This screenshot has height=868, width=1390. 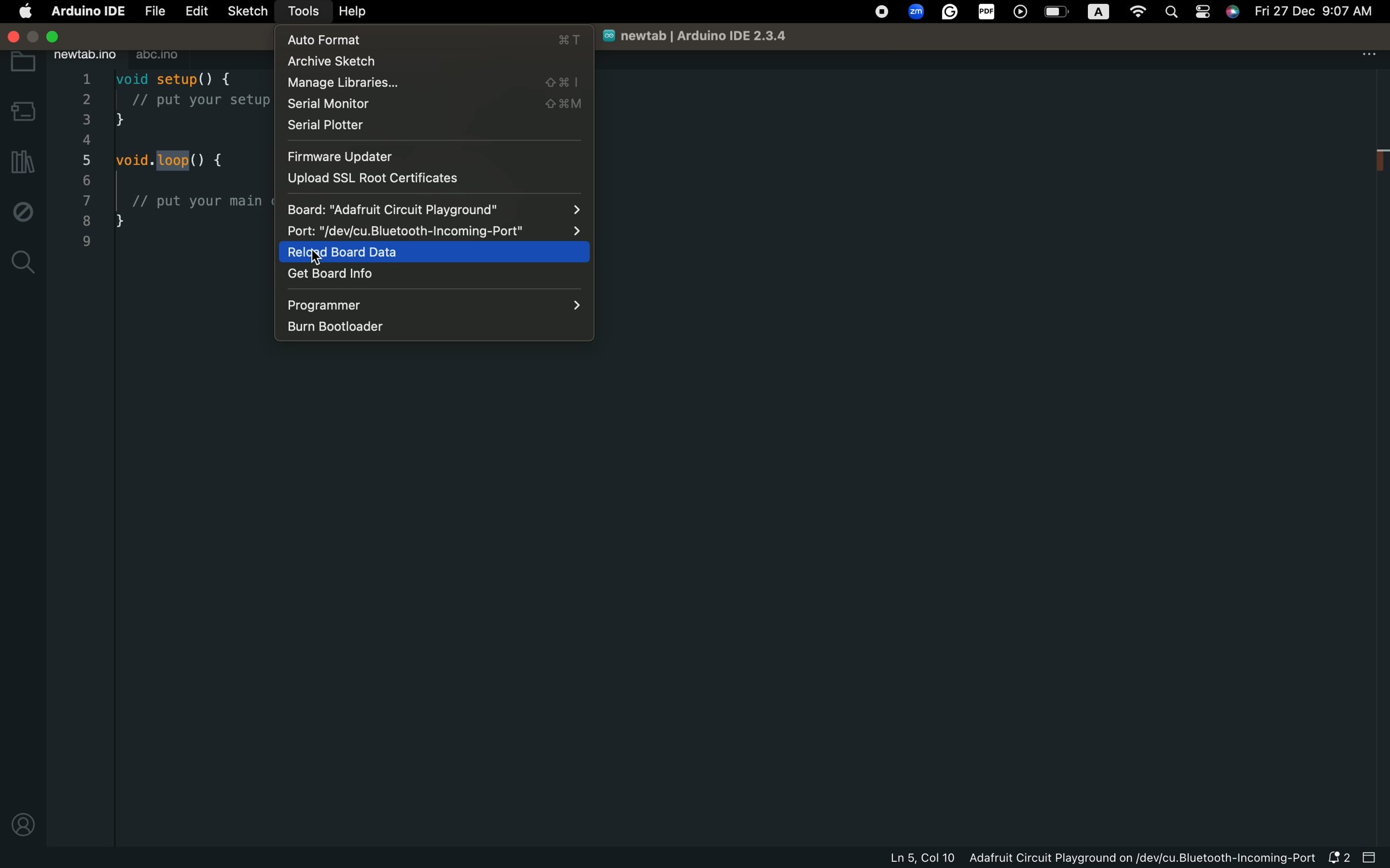 What do you see at coordinates (304, 11) in the screenshot?
I see `tools` at bounding box center [304, 11].